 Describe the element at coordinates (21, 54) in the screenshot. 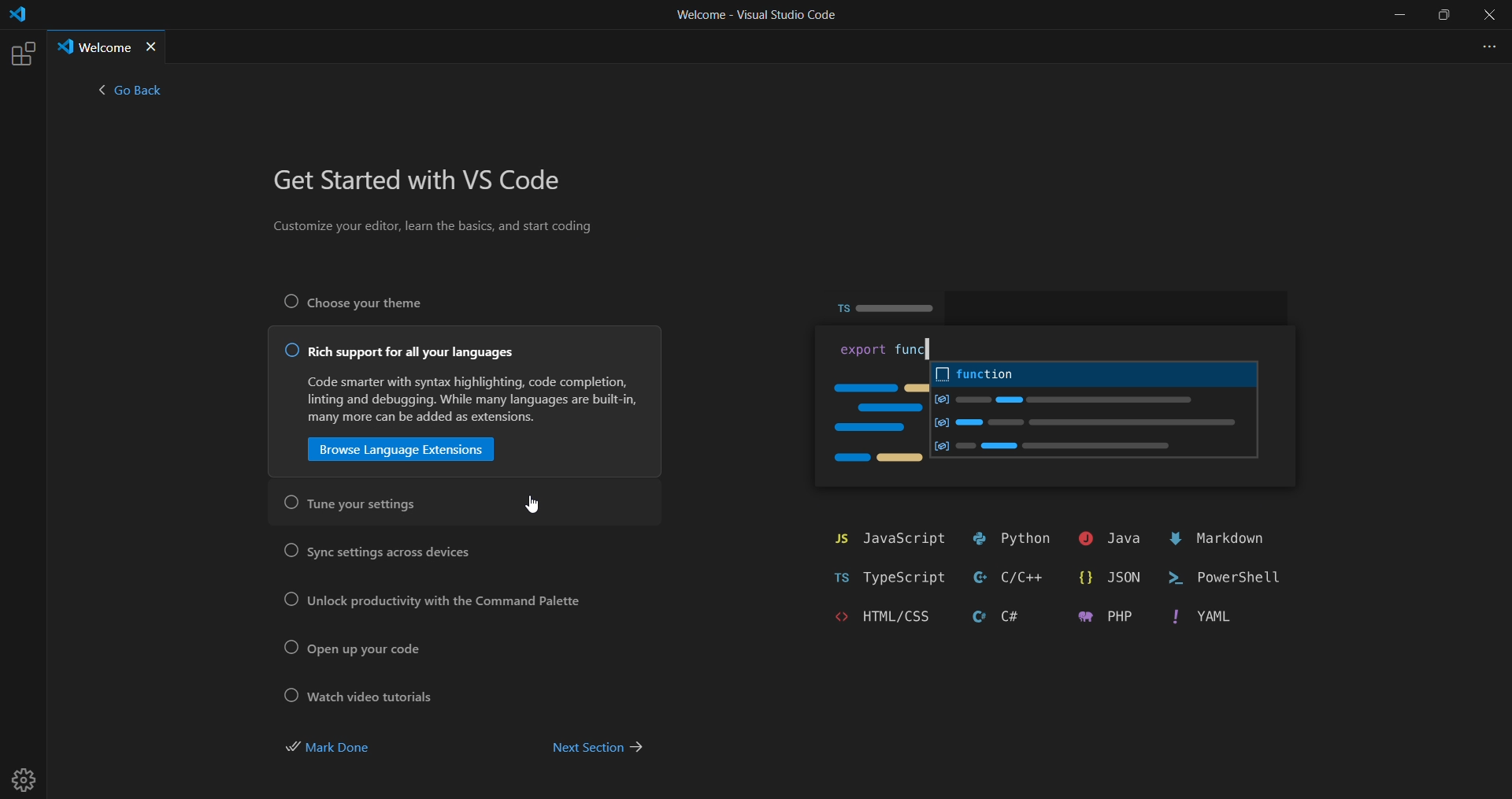

I see `extensions` at that location.